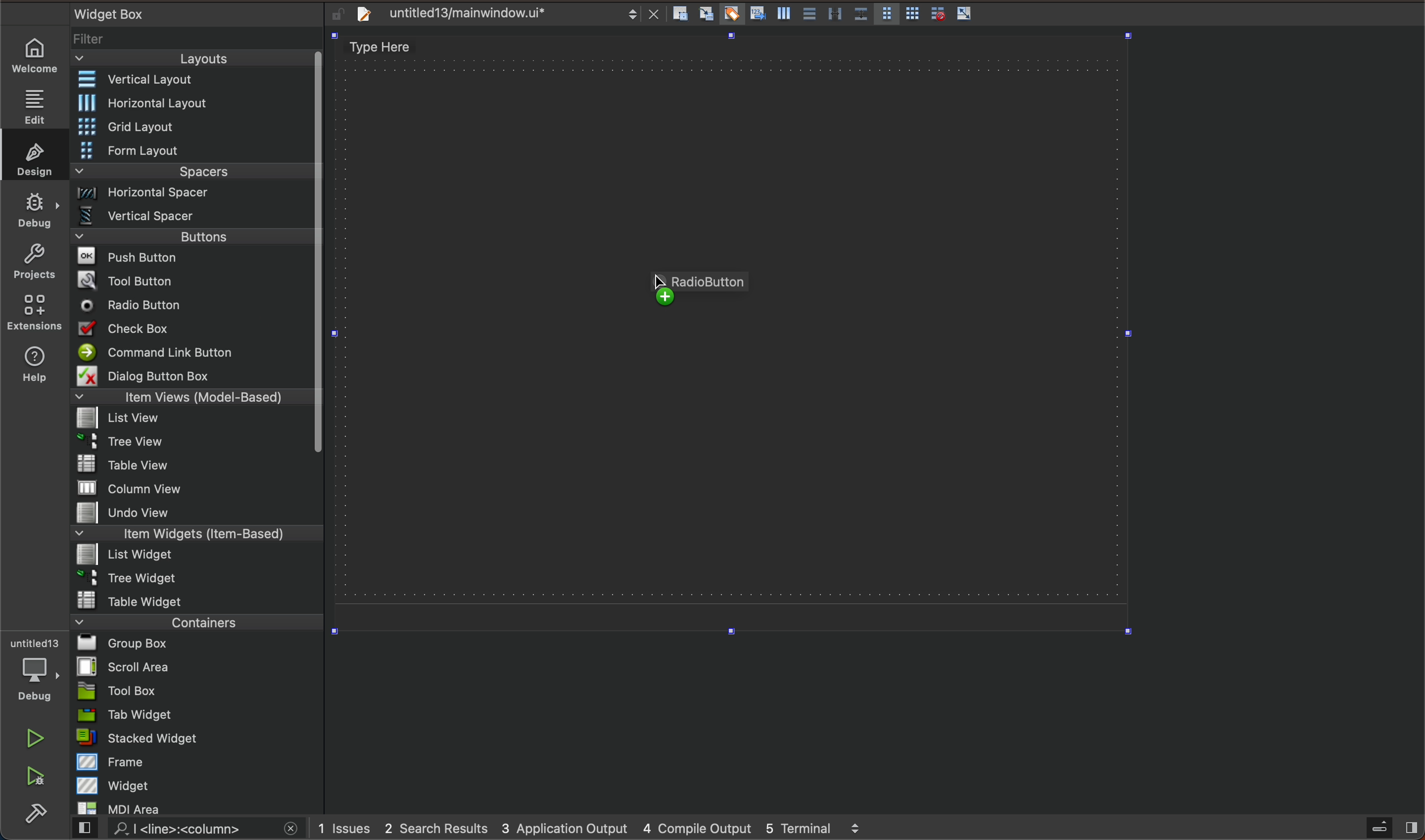 Image resolution: width=1425 pixels, height=840 pixels. Describe the element at coordinates (36, 209) in the screenshot. I see `debug` at that location.